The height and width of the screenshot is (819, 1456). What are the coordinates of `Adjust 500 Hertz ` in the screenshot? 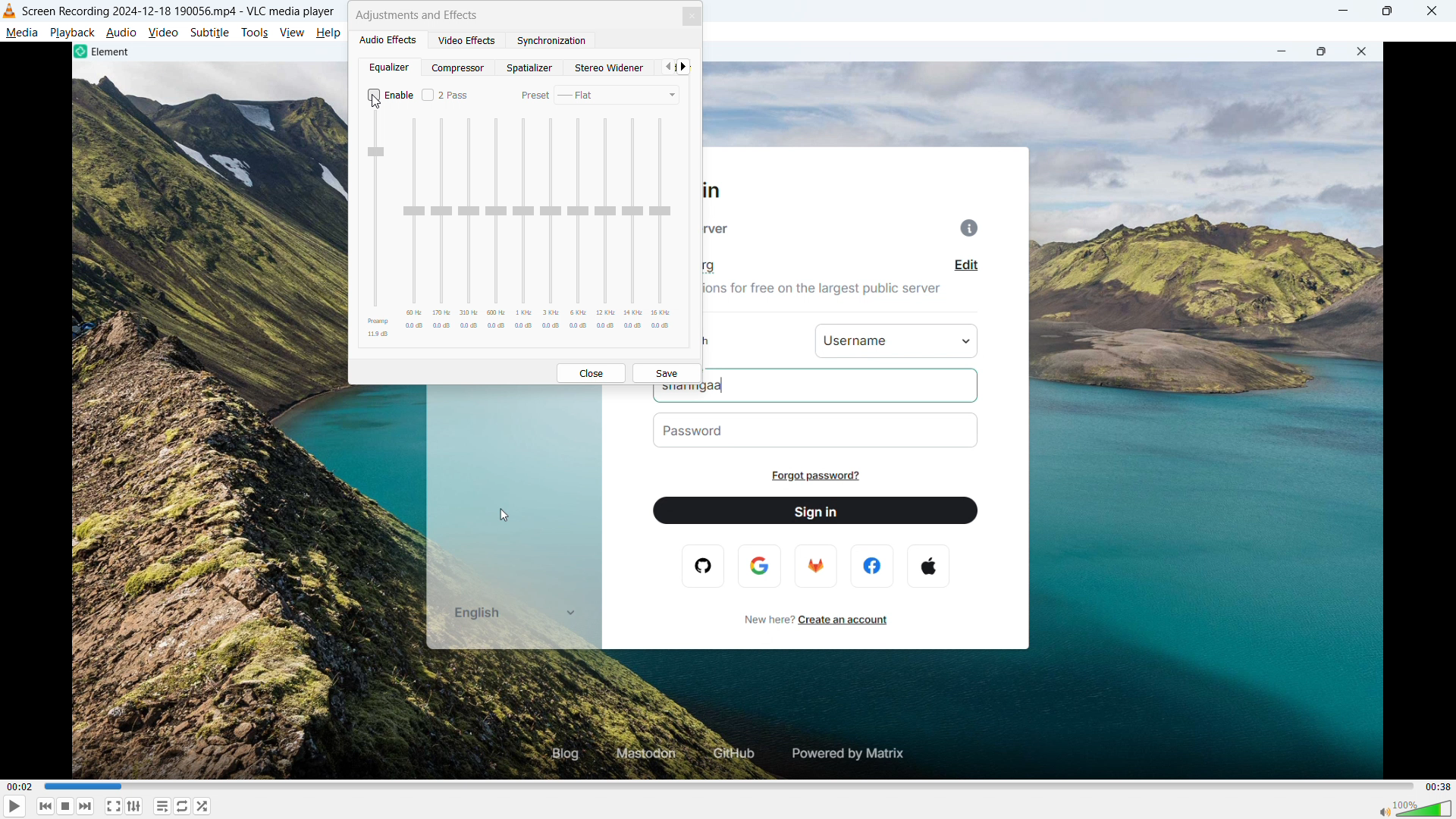 It's located at (497, 225).